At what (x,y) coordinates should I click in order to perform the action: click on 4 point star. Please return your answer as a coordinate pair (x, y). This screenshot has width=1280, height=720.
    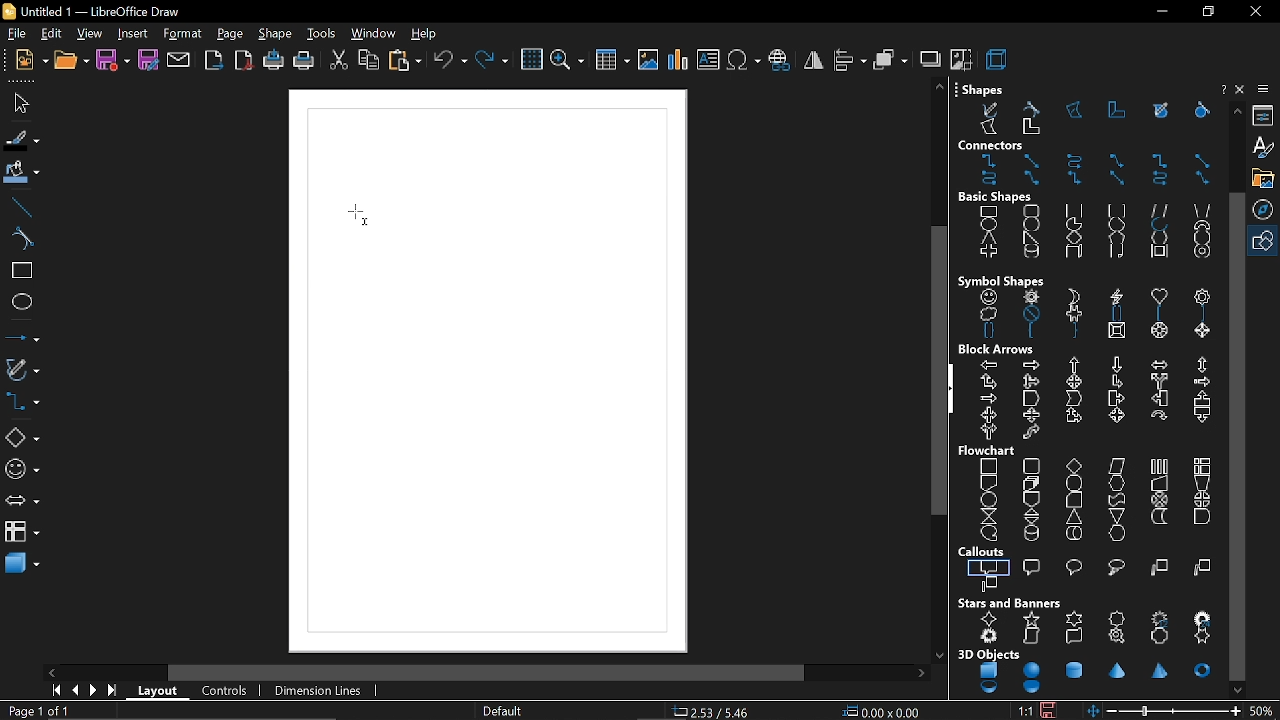
    Looking at the image, I should click on (990, 619).